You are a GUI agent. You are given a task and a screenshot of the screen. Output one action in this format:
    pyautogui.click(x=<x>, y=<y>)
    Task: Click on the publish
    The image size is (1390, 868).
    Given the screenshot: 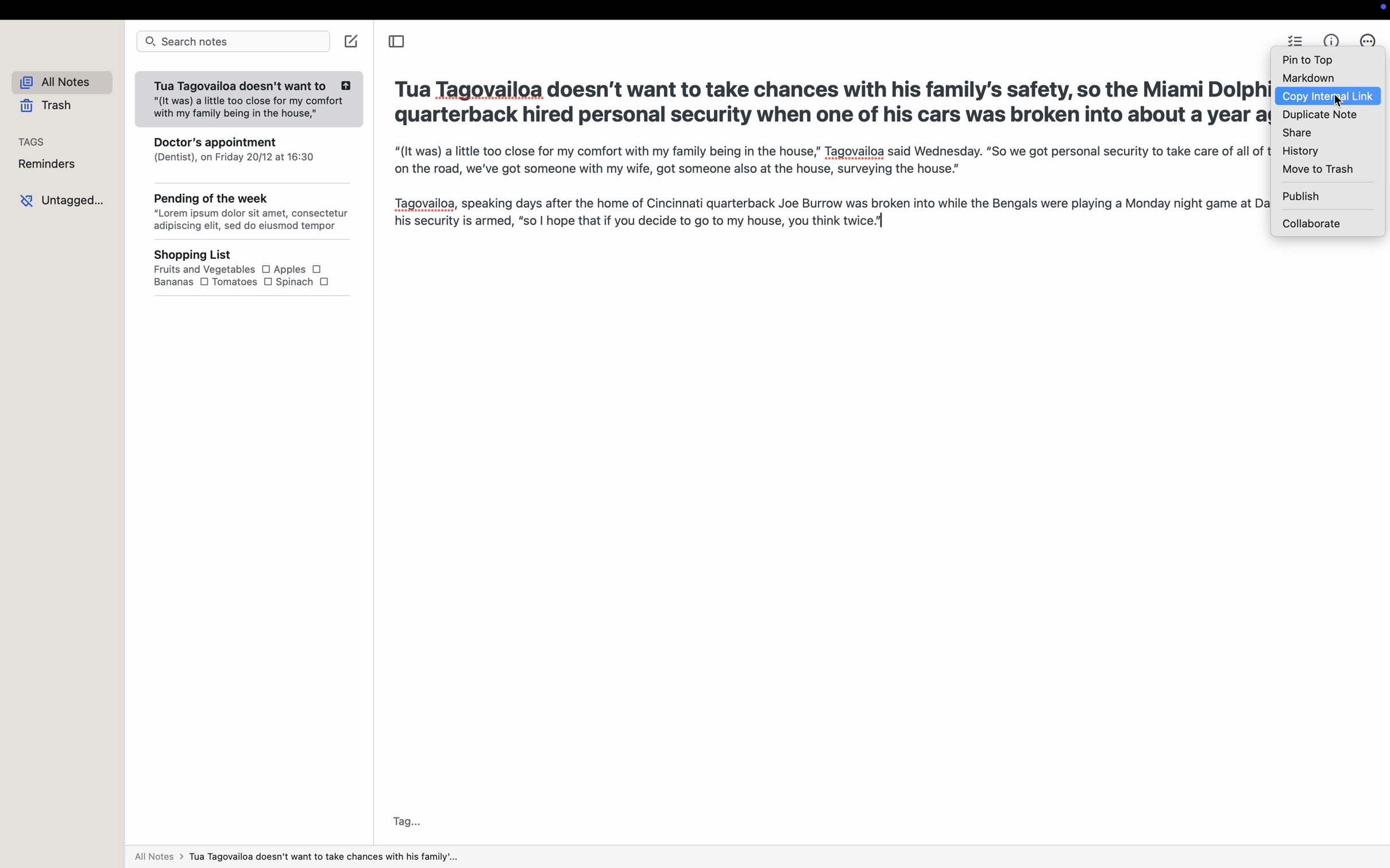 What is the action you would take?
    pyautogui.click(x=1299, y=198)
    